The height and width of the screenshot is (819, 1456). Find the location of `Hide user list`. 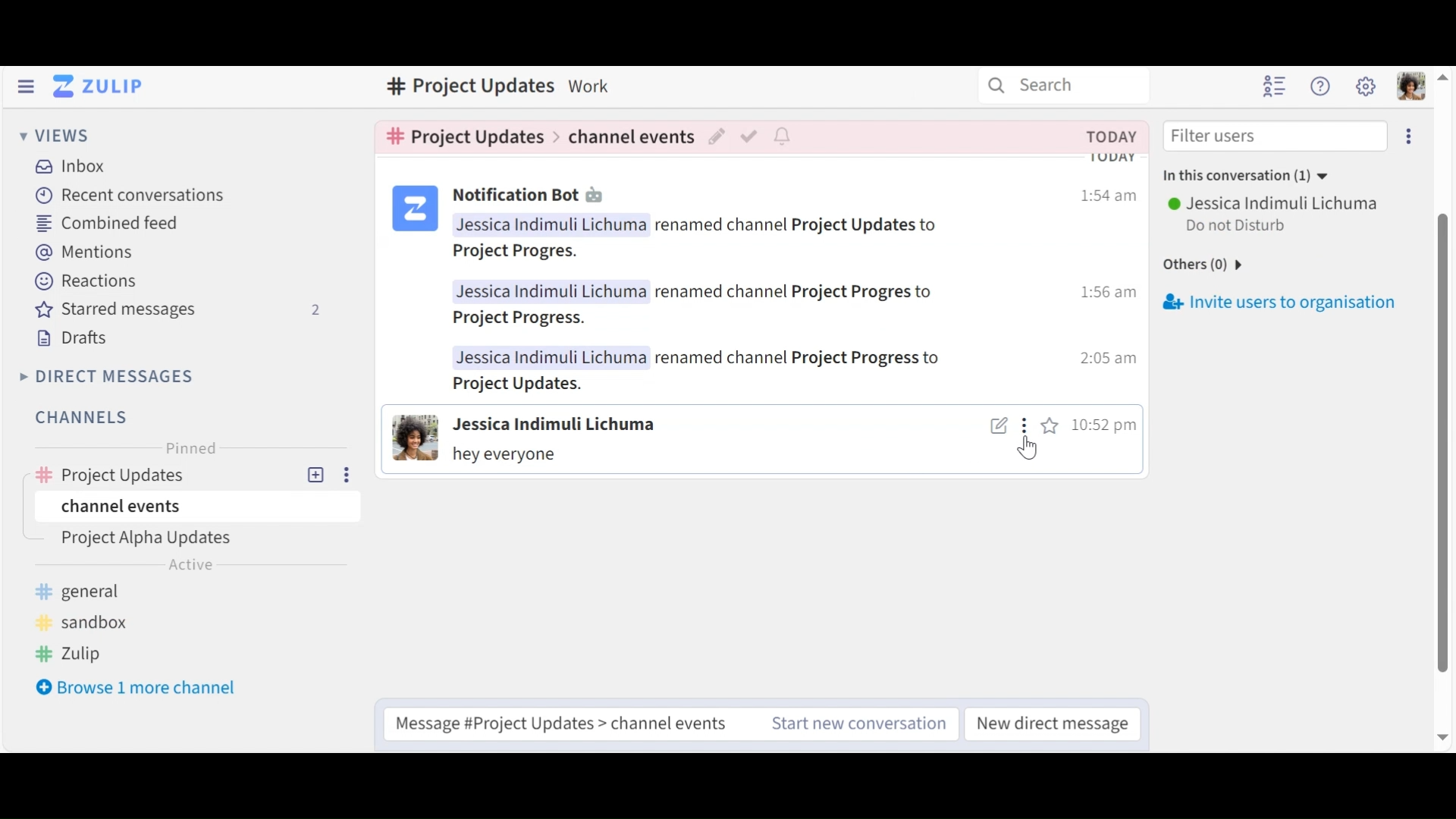

Hide user list is located at coordinates (1272, 86).